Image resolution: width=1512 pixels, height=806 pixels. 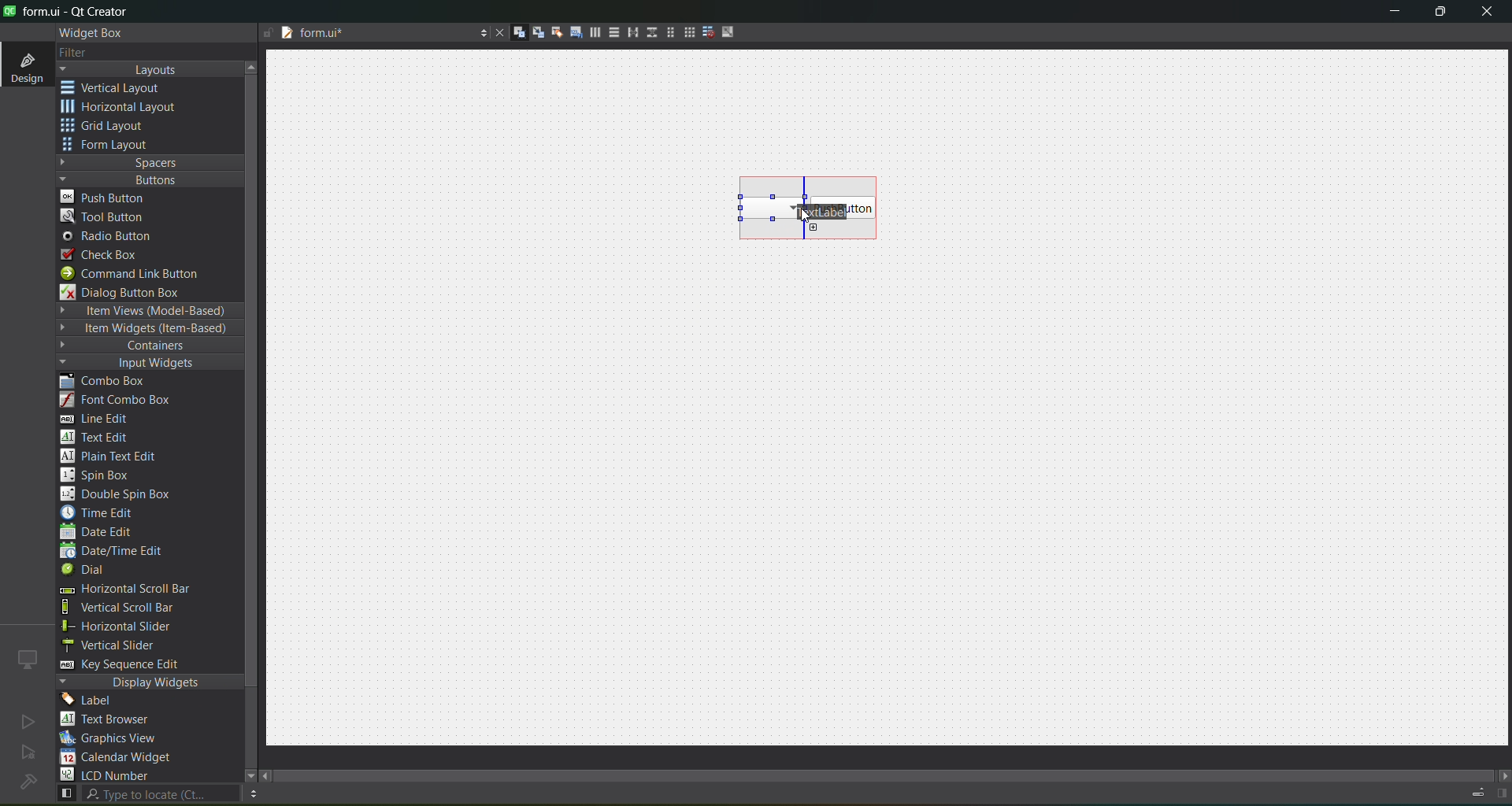 I want to click on calendar, so click(x=118, y=759).